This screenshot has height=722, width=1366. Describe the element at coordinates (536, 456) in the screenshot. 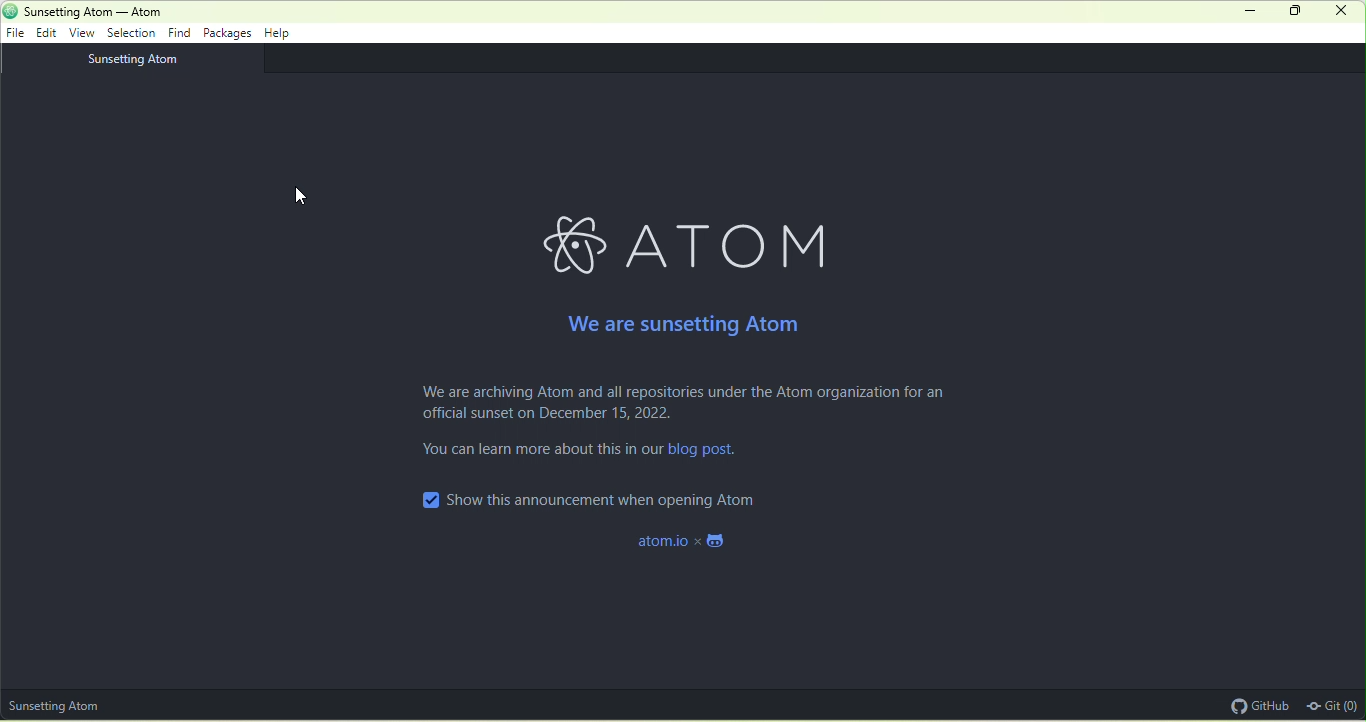

I see `you can learn more about this in our blog post` at that location.